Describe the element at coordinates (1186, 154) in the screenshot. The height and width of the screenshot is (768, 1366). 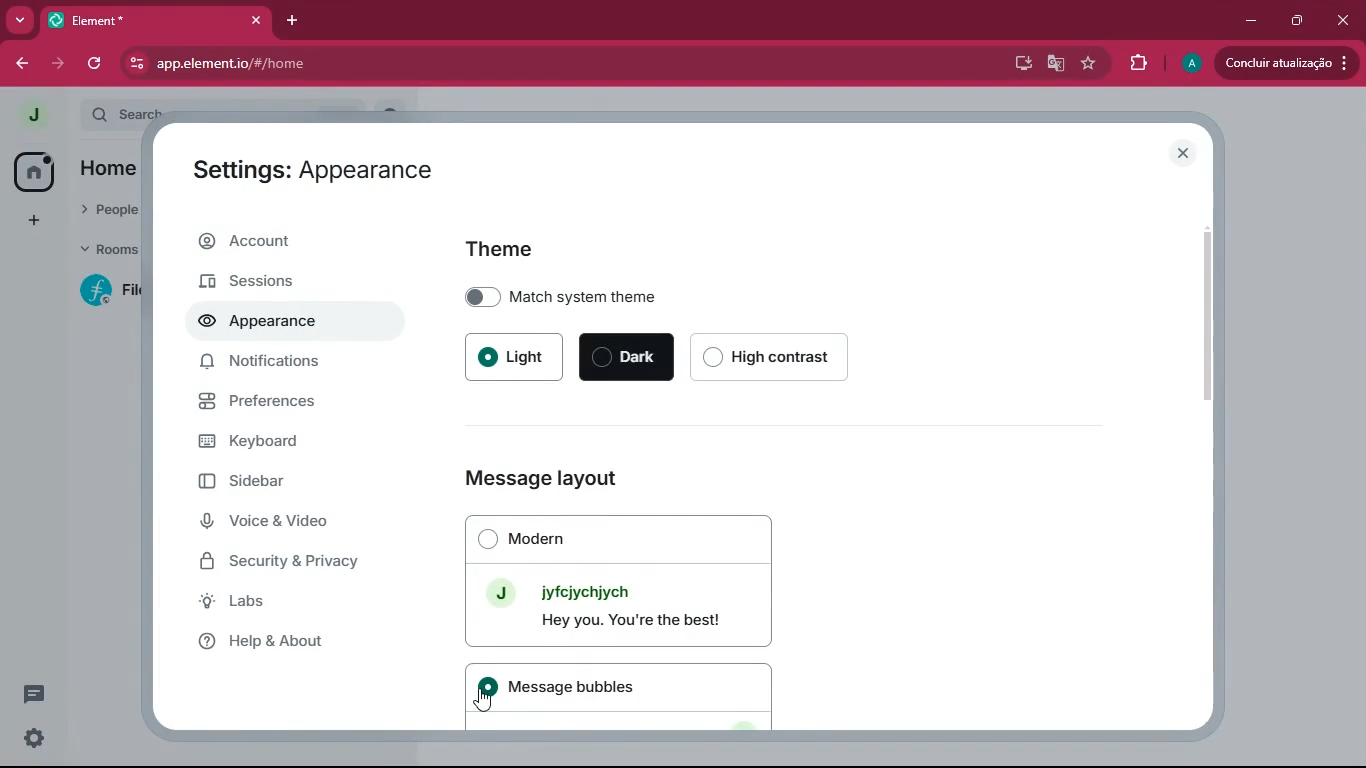
I see `close` at that location.